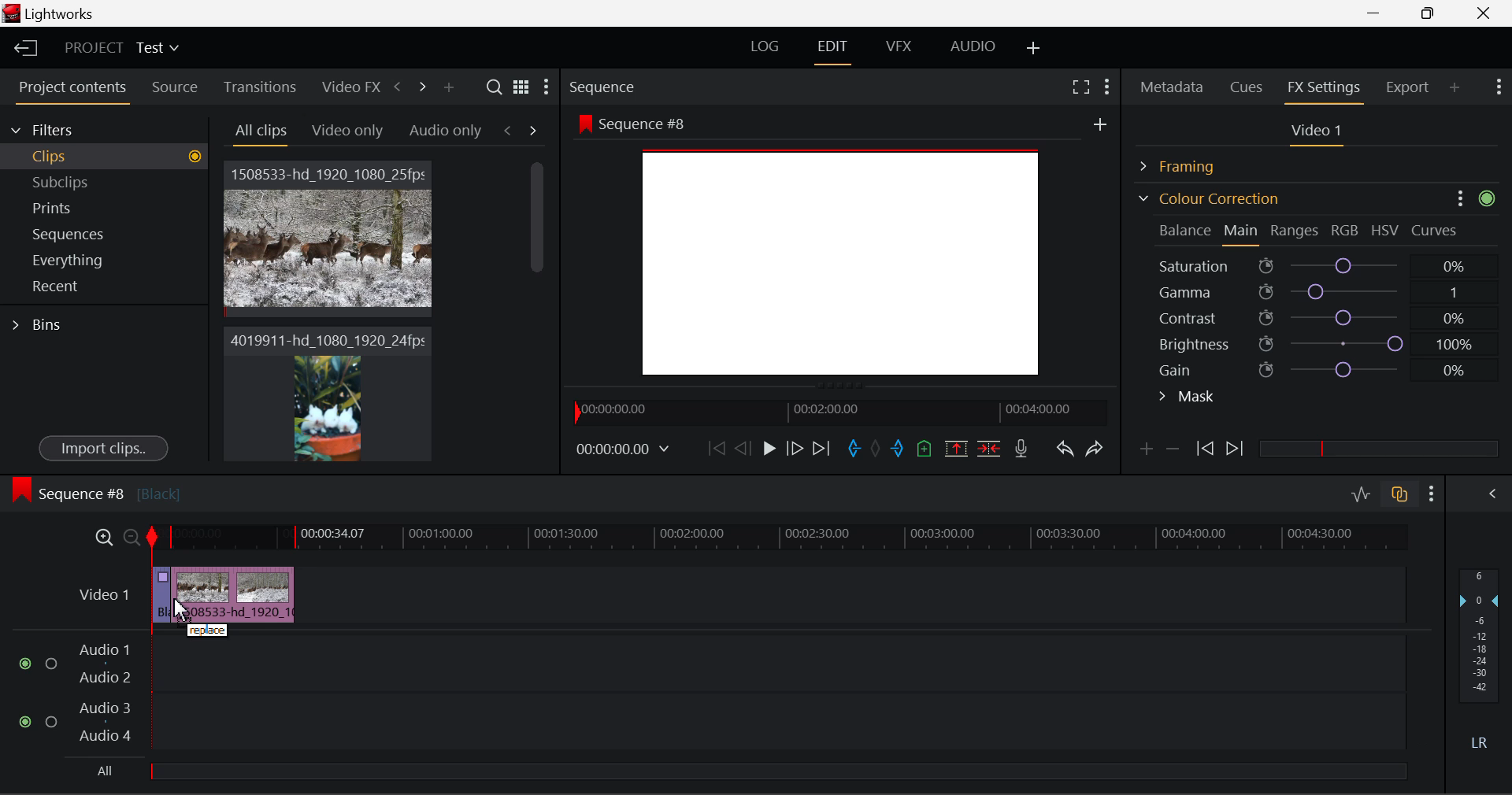  What do you see at coordinates (76, 182) in the screenshot?
I see `Subclips` at bounding box center [76, 182].